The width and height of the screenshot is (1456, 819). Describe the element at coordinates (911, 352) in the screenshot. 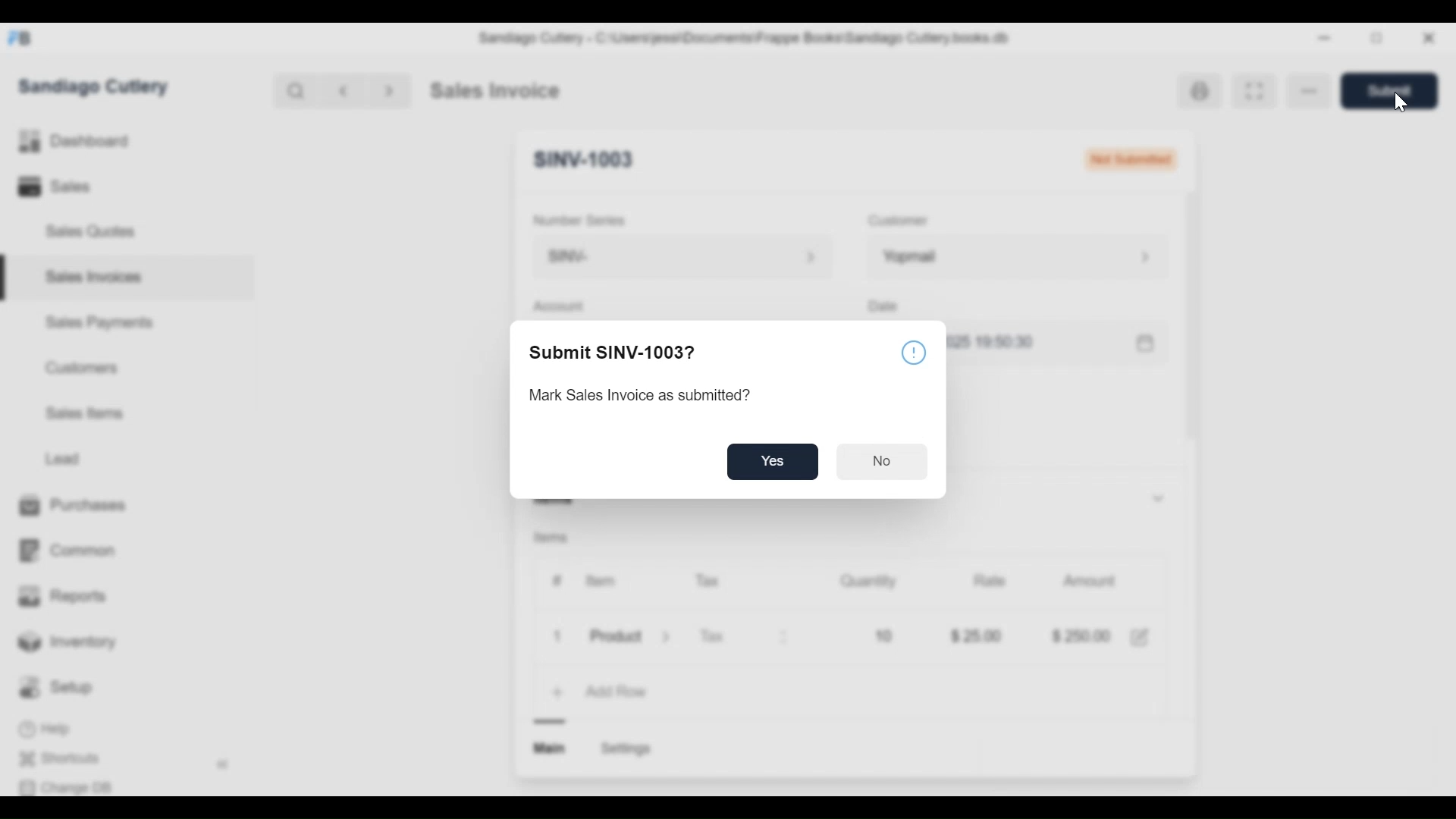

I see `infor` at that location.